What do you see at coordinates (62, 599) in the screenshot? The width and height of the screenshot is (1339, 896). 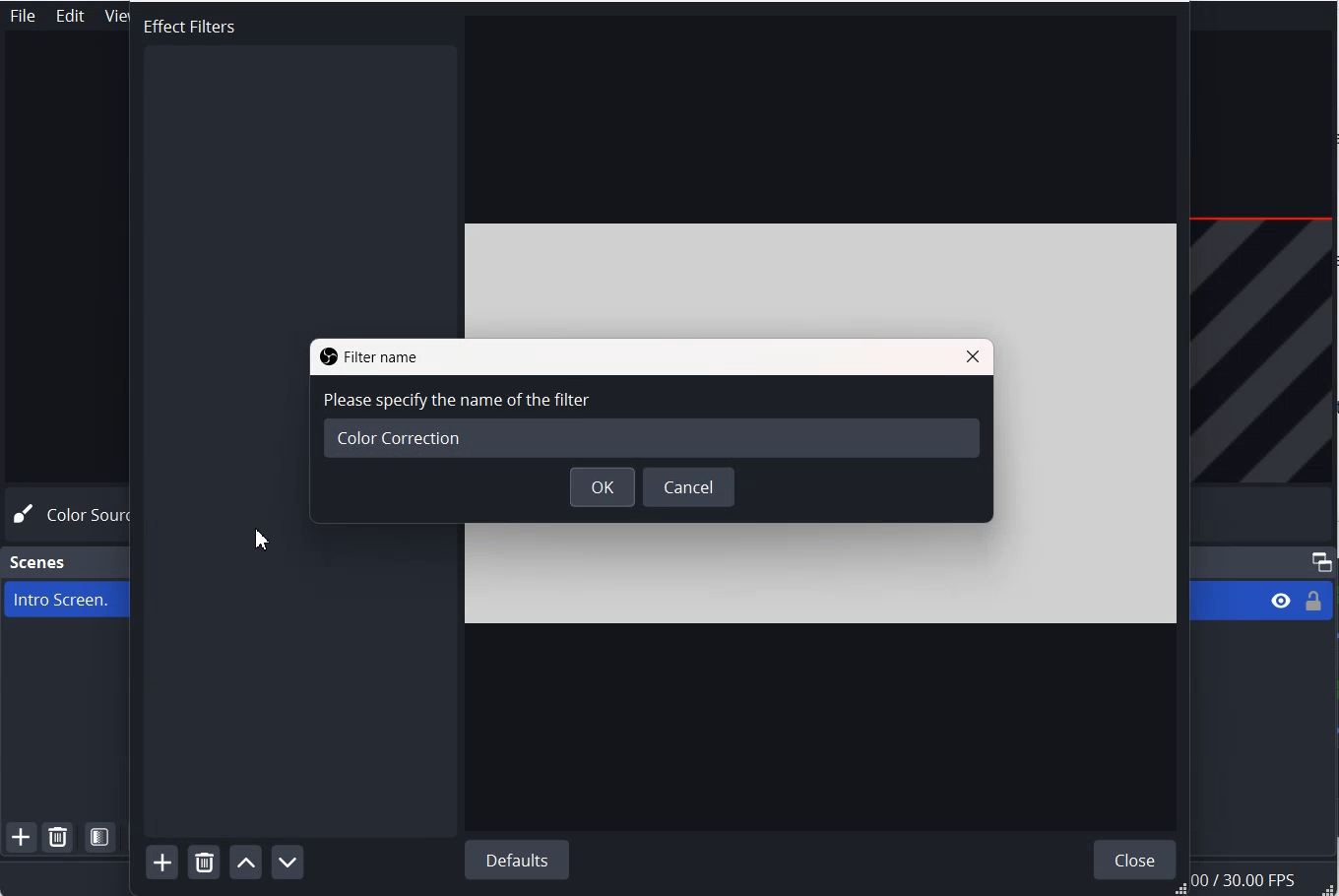 I see `Intro Screen ` at bounding box center [62, 599].